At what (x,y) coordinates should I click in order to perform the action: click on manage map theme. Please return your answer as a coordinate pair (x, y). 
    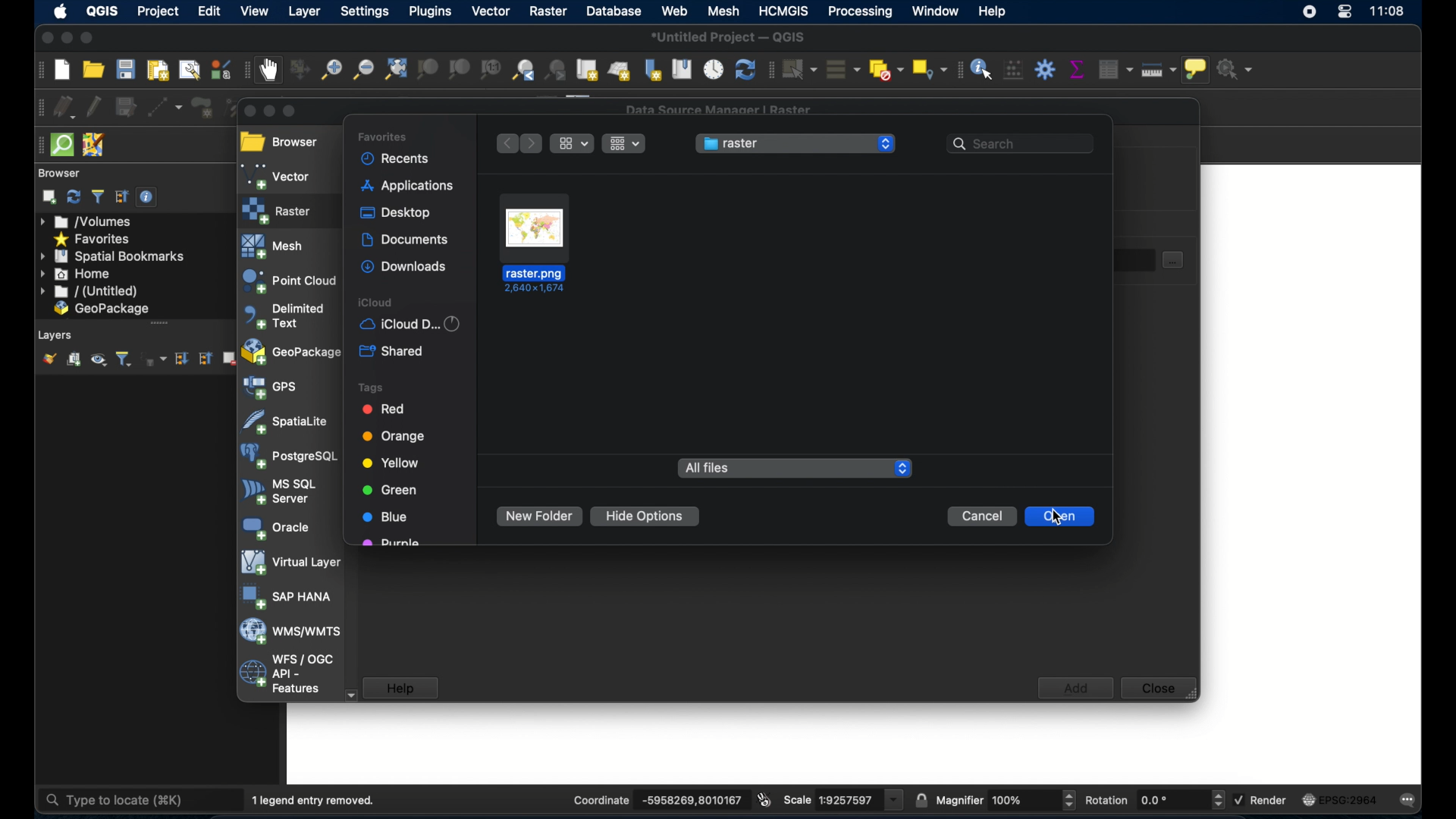
    Looking at the image, I should click on (99, 361).